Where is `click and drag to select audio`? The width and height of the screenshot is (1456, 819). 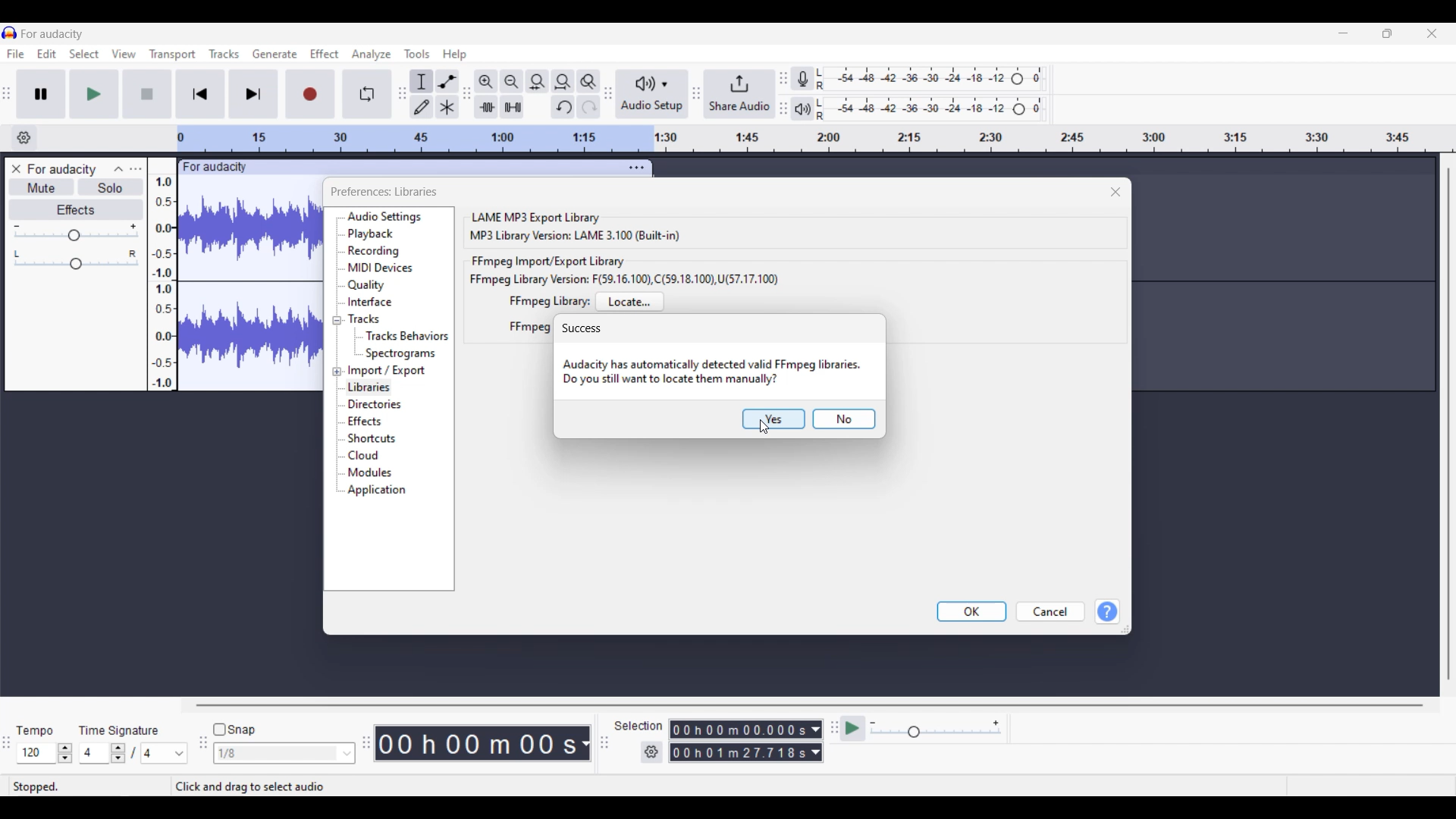 click and drag to select audio is located at coordinates (267, 786).